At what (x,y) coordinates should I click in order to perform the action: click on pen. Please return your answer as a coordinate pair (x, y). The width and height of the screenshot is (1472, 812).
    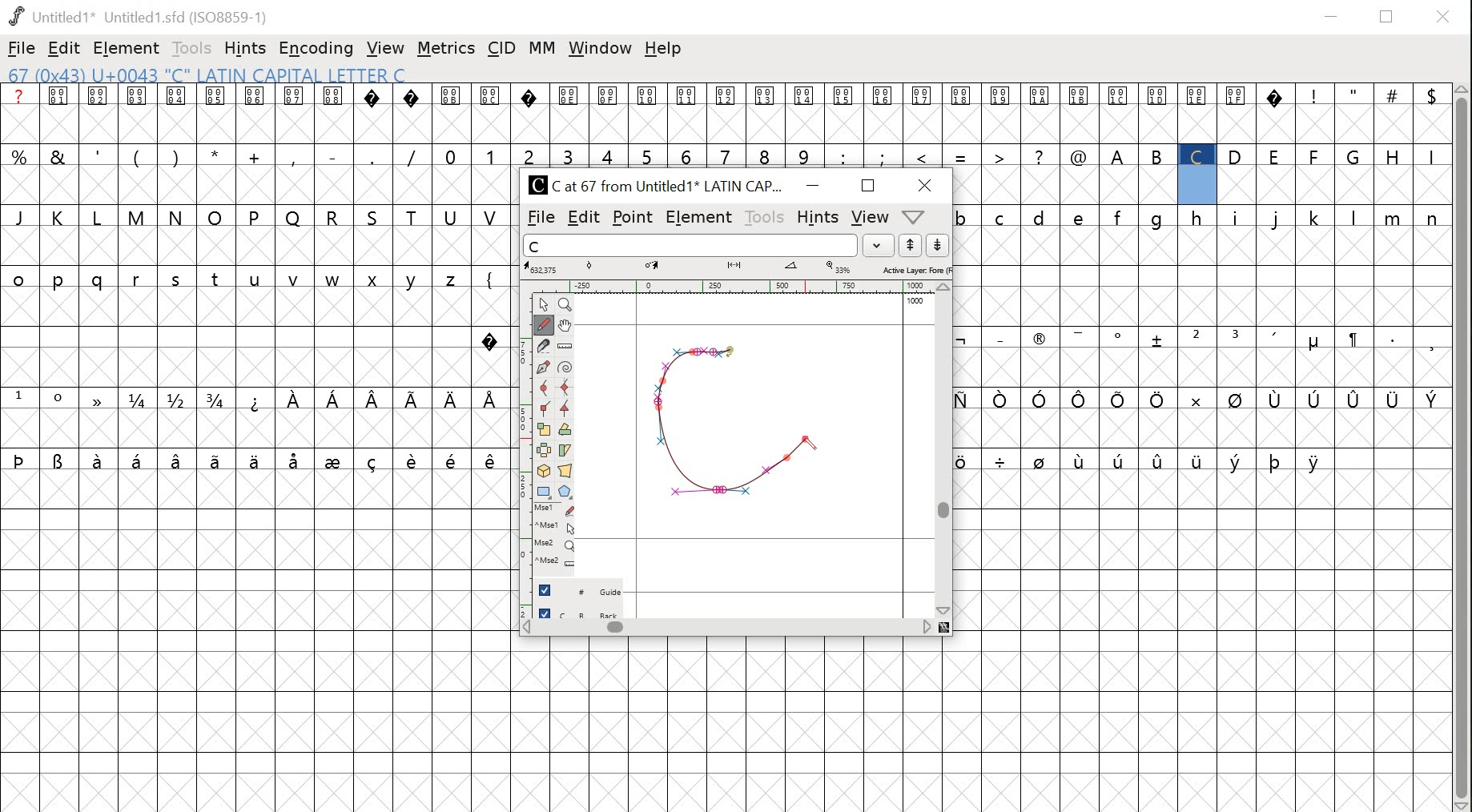
    Looking at the image, I should click on (546, 368).